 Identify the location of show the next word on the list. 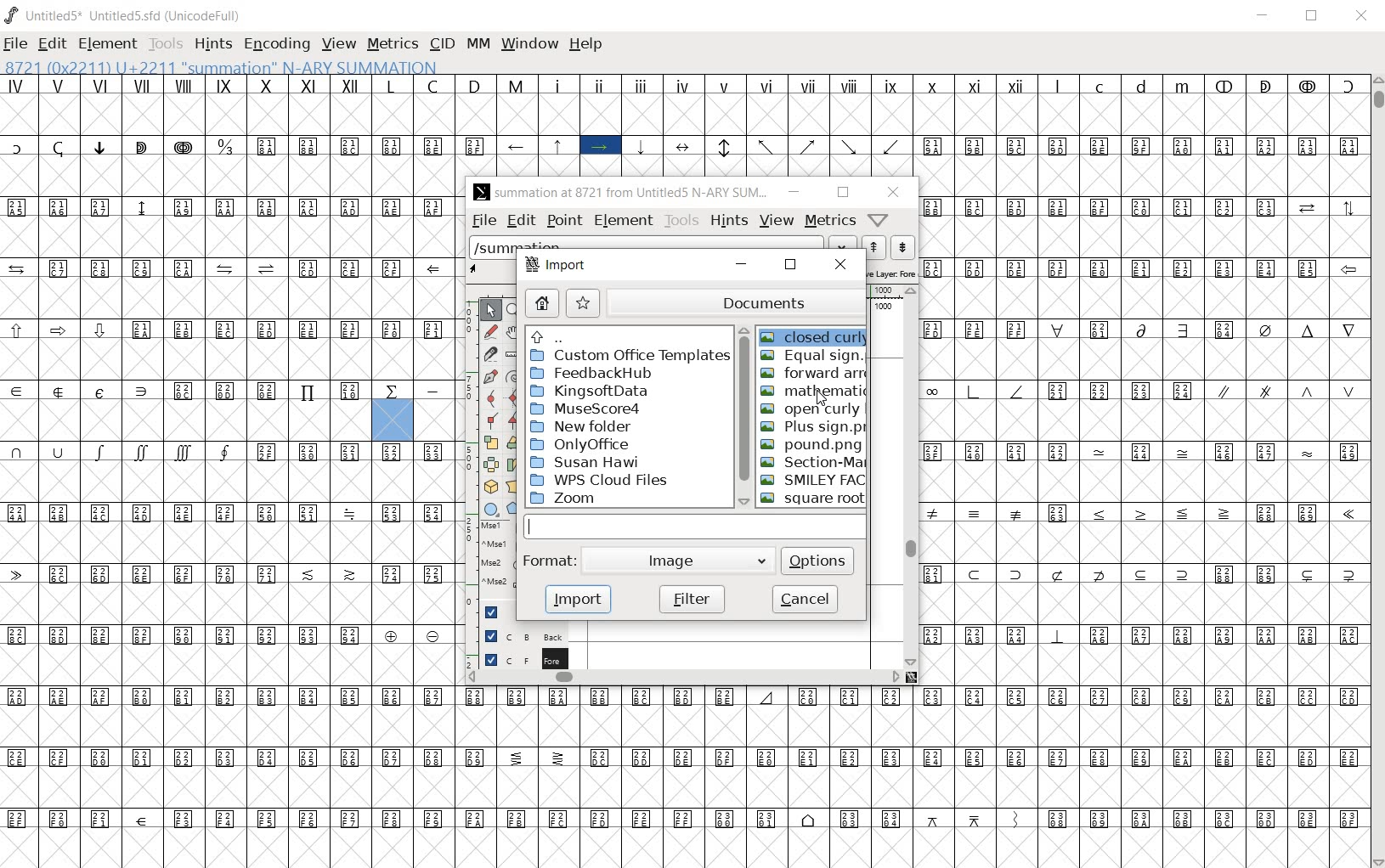
(875, 247).